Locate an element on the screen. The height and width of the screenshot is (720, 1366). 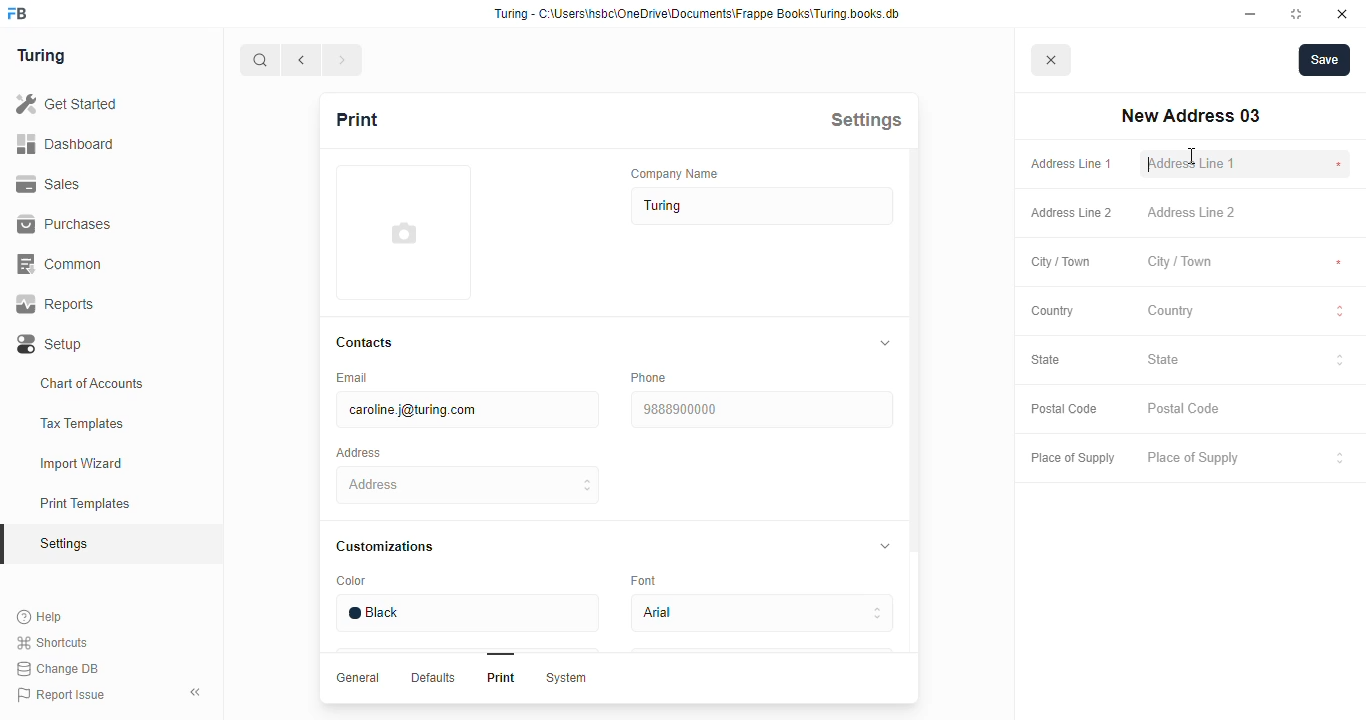
toggle sidebar is located at coordinates (198, 691).